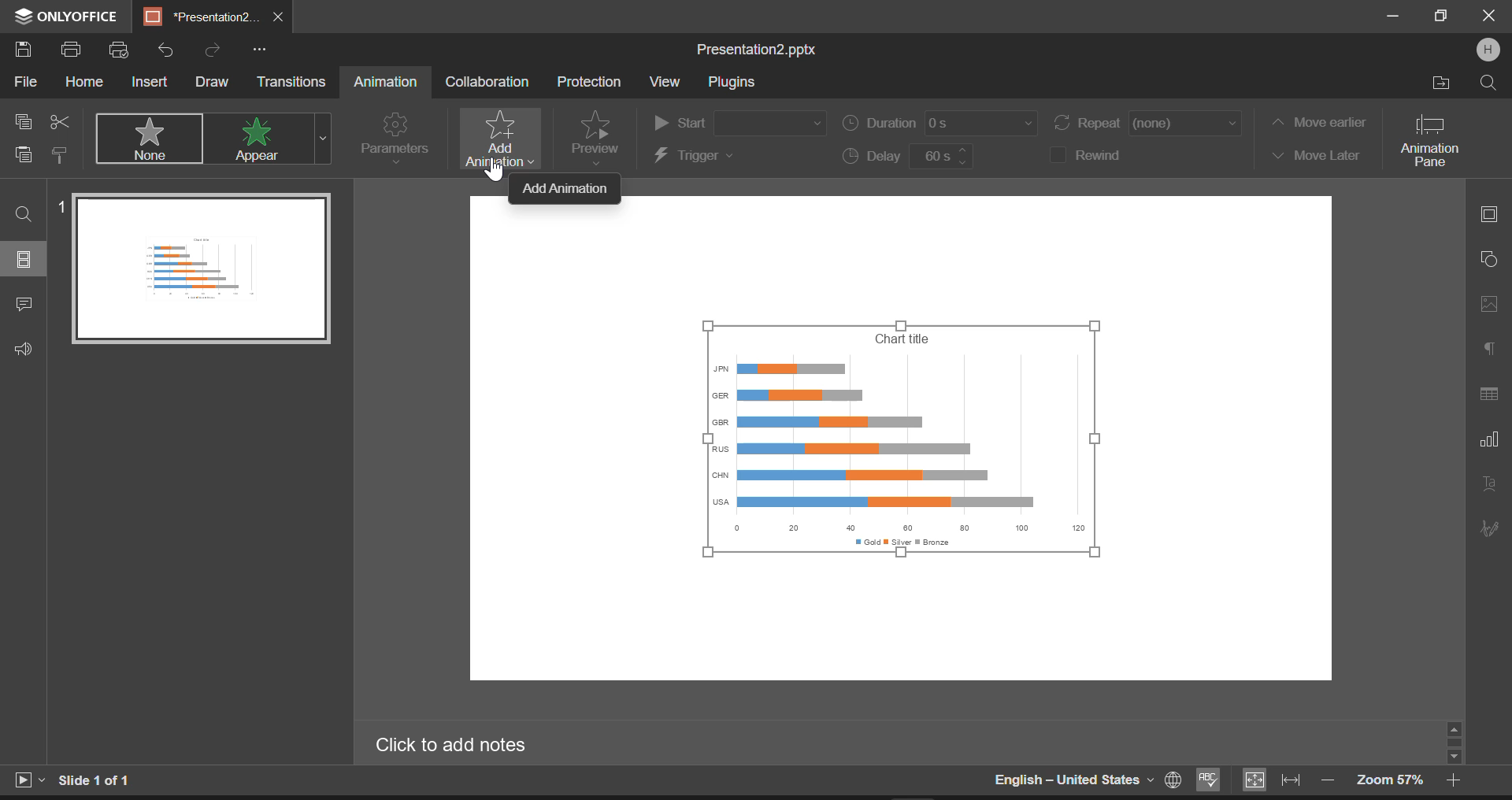  I want to click on Table Settings, so click(1489, 394).